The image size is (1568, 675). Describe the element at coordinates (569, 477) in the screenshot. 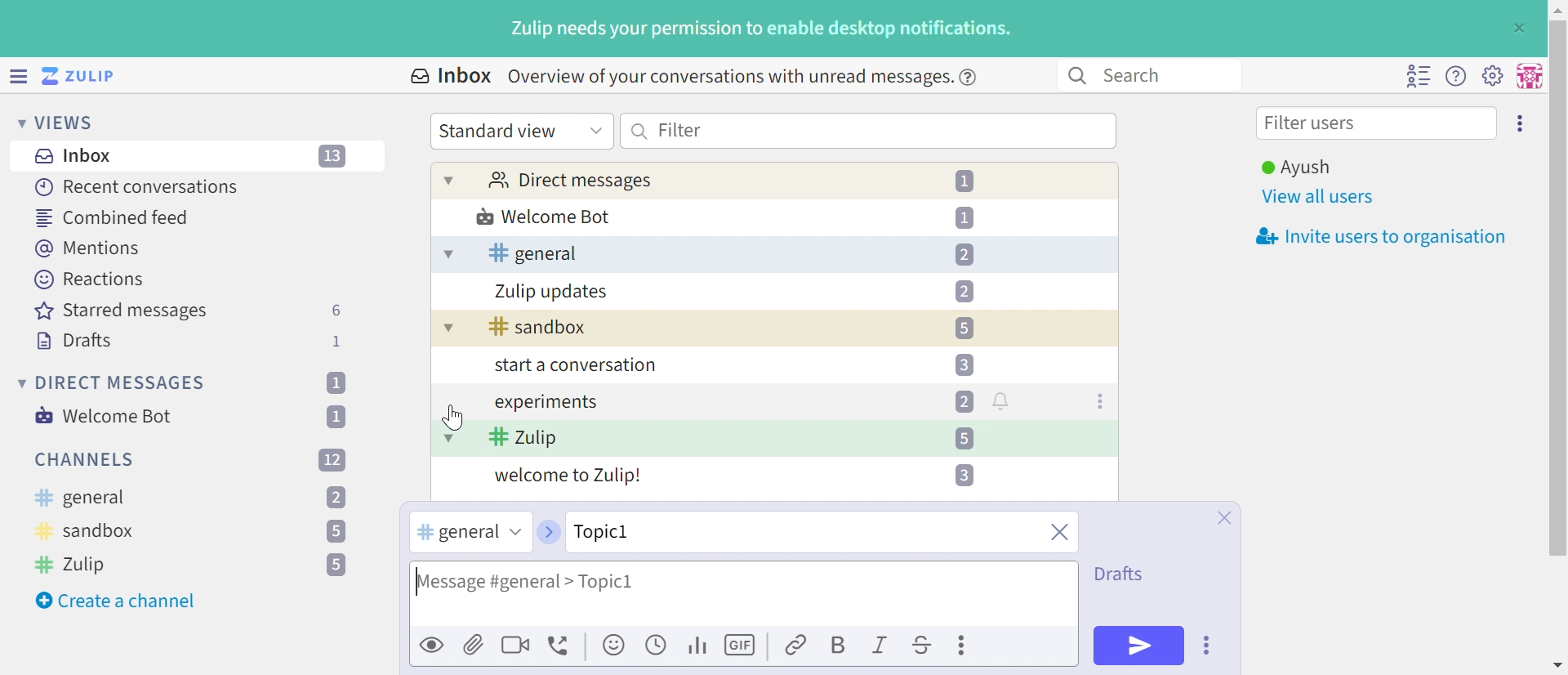

I see `welcome to Zulip!` at that location.